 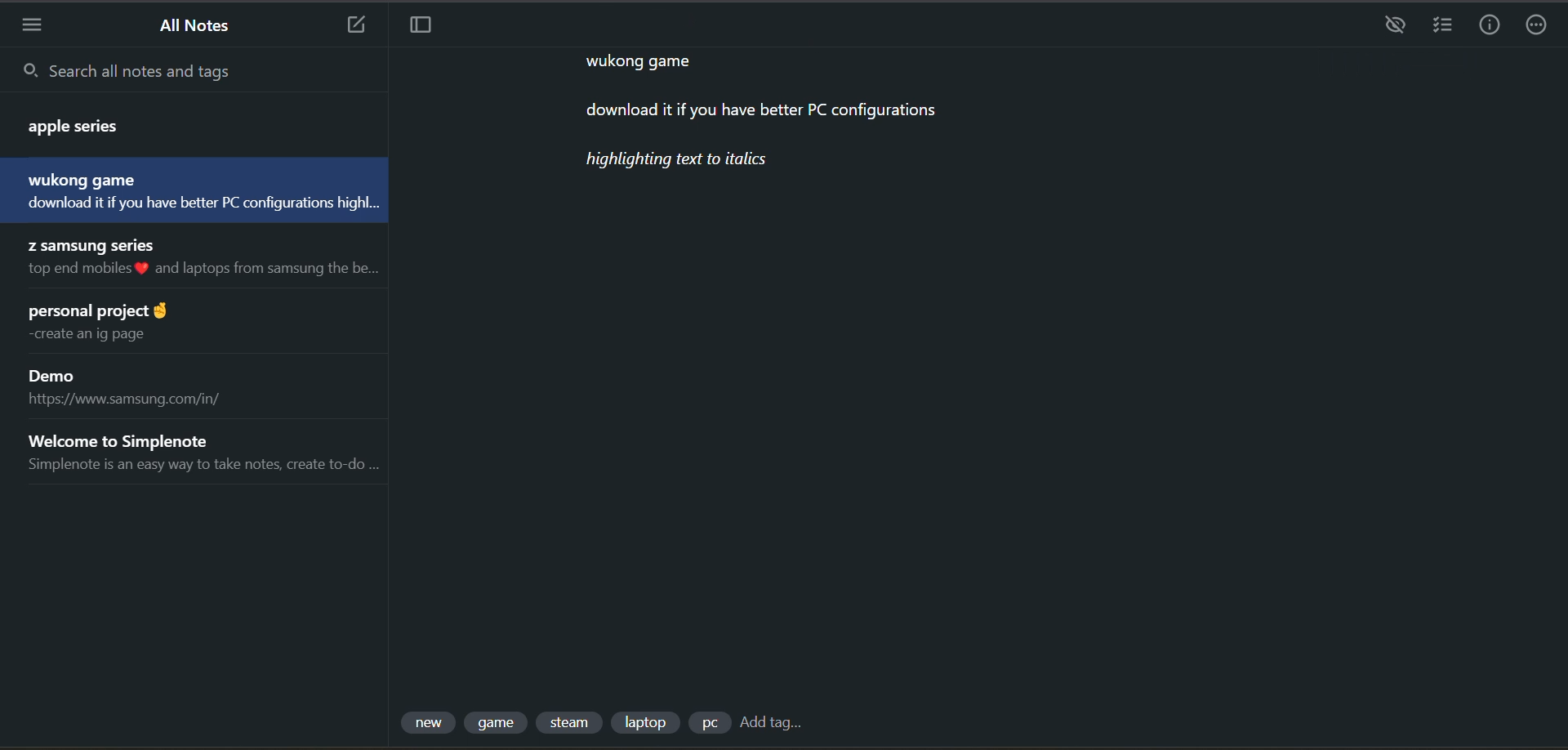 I want to click on note title and preview, so click(x=209, y=261).